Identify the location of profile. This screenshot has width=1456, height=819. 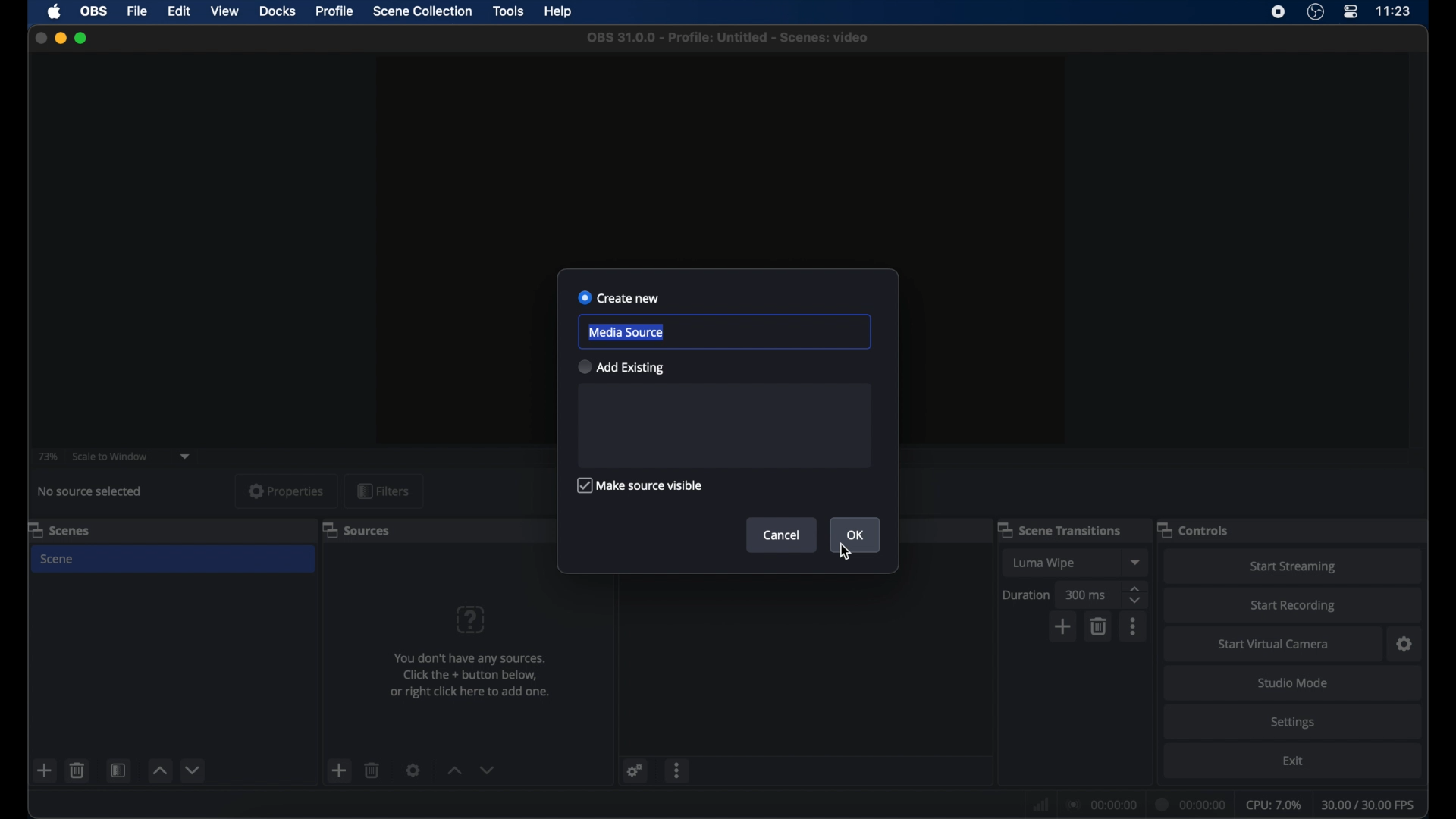
(336, 11).